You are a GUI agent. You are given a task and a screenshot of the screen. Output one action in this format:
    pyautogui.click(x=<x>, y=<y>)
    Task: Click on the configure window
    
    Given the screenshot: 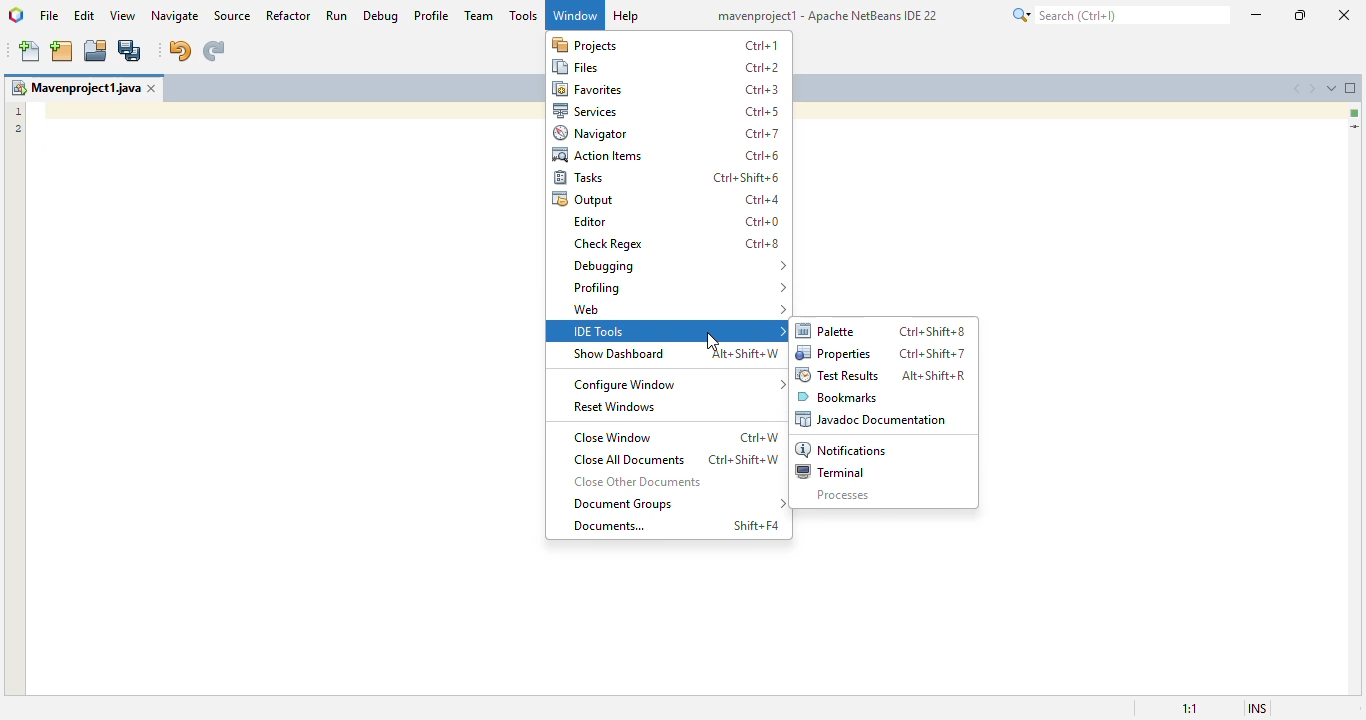 What is the action you would take?
    pyautogui.click(x=679, y=385)
    